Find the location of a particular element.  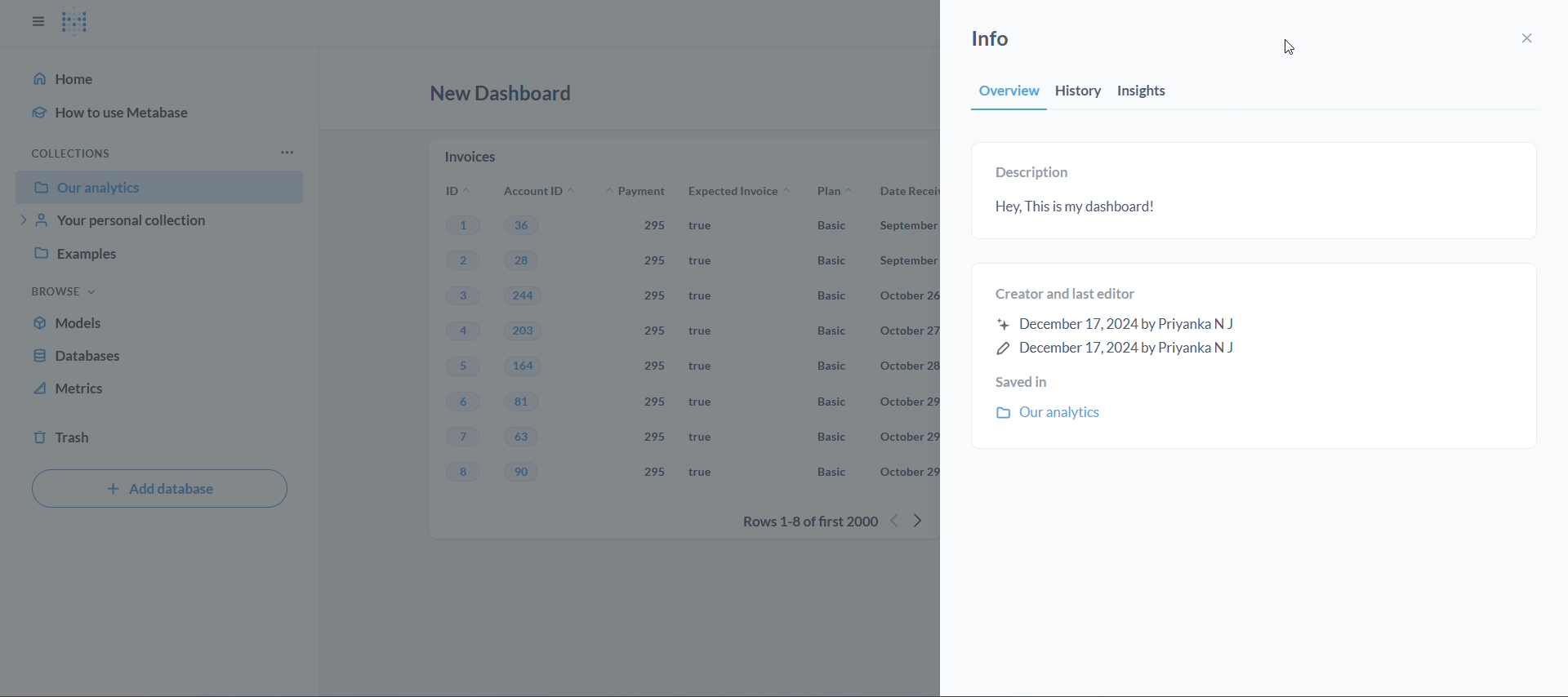

5 is located at coordinates (463, 367).